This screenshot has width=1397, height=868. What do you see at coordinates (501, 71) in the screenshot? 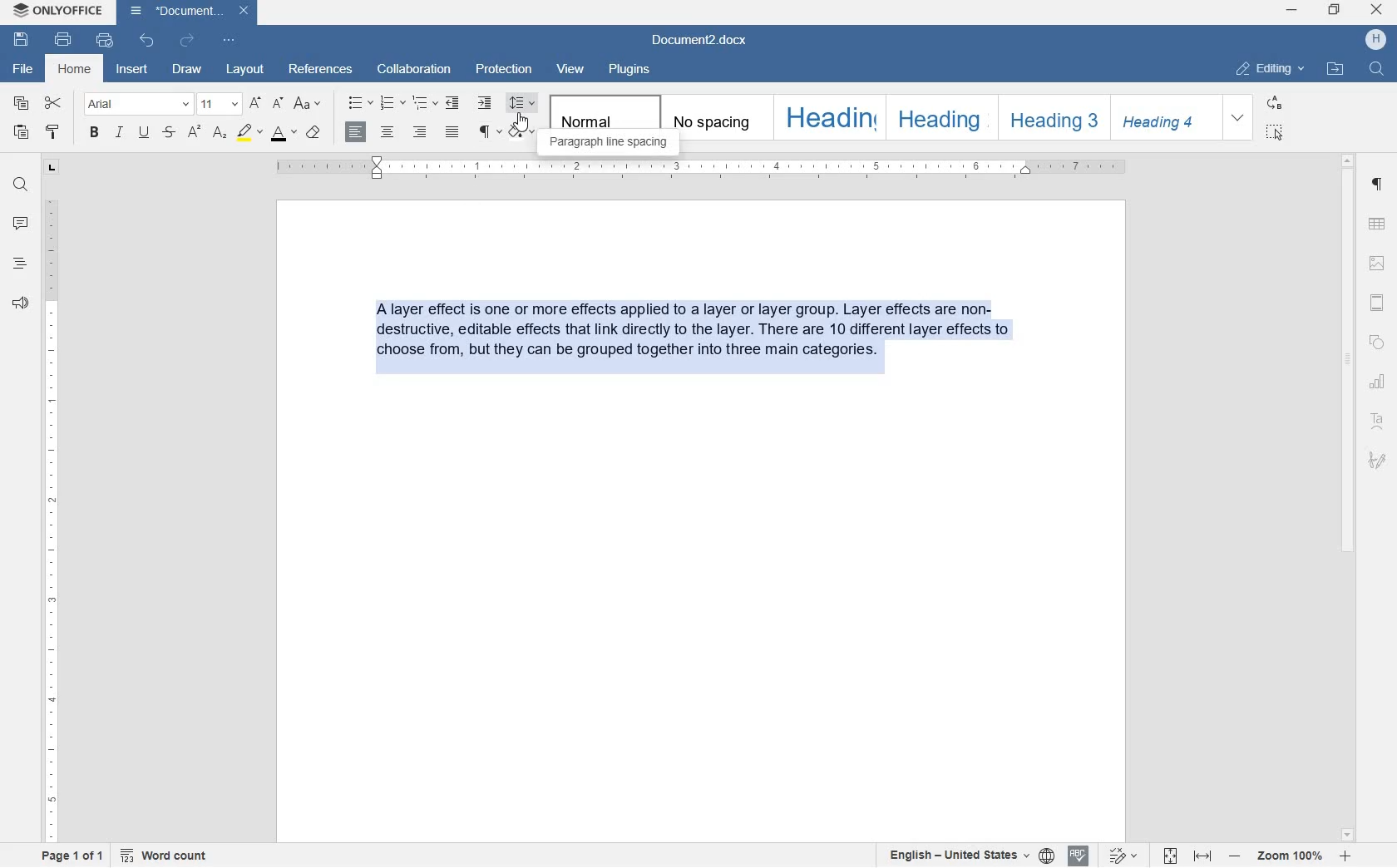
I see `protection` at bounding box center [501, 71].